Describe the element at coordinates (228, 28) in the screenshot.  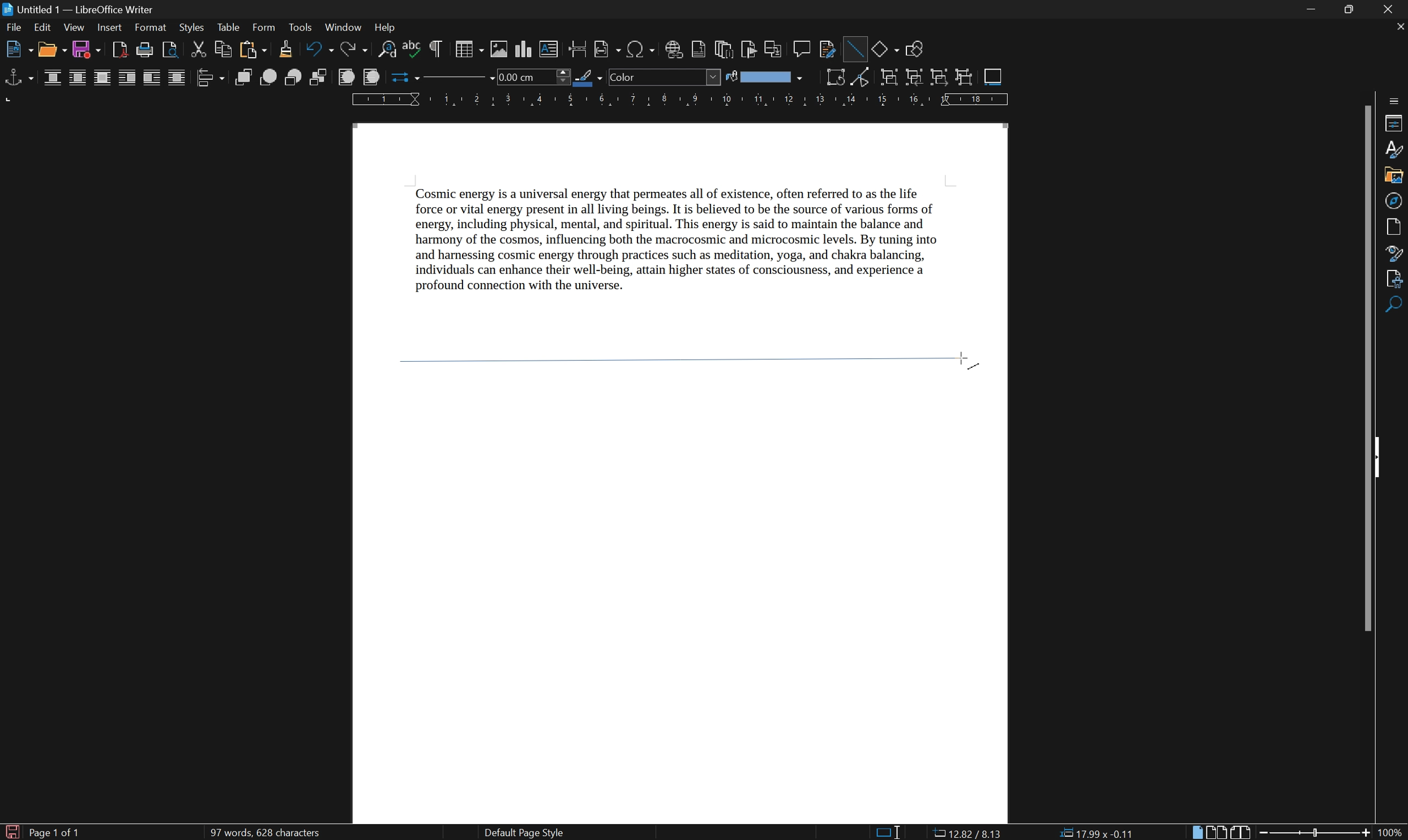
I see `table` at that location.